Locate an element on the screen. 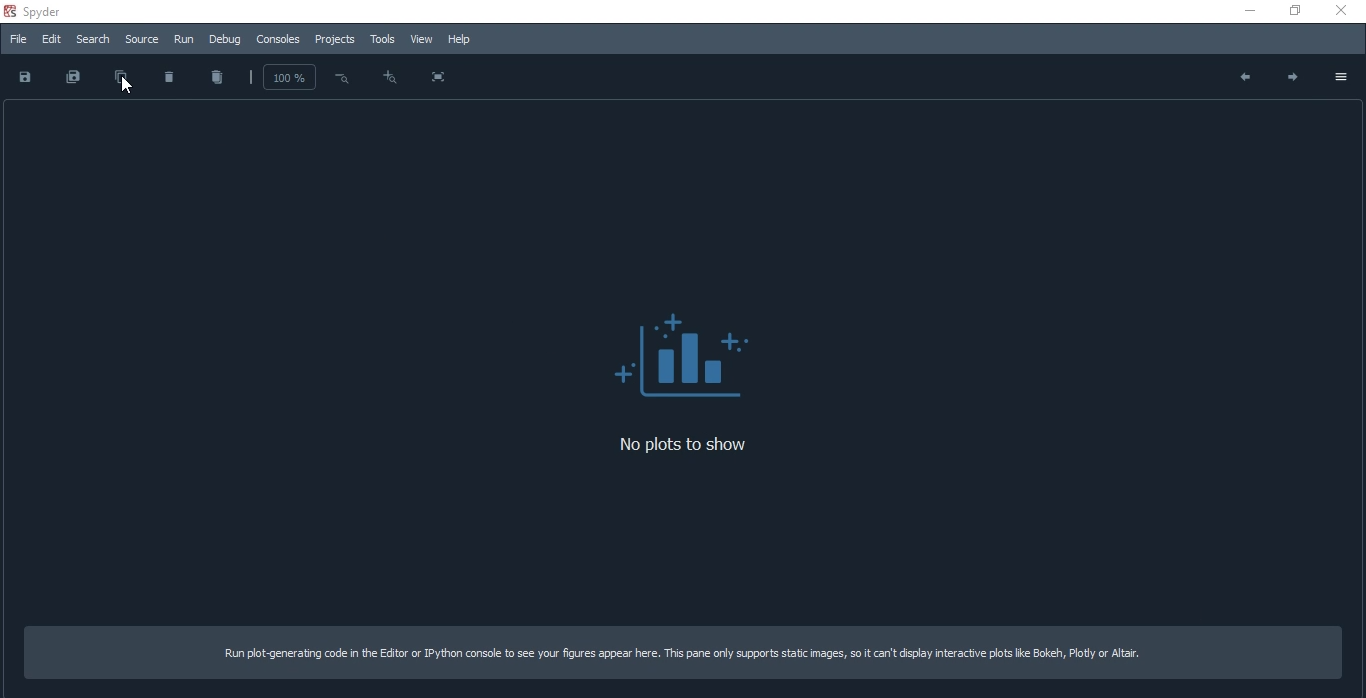  minimize is located at coordinates (1251, 10).